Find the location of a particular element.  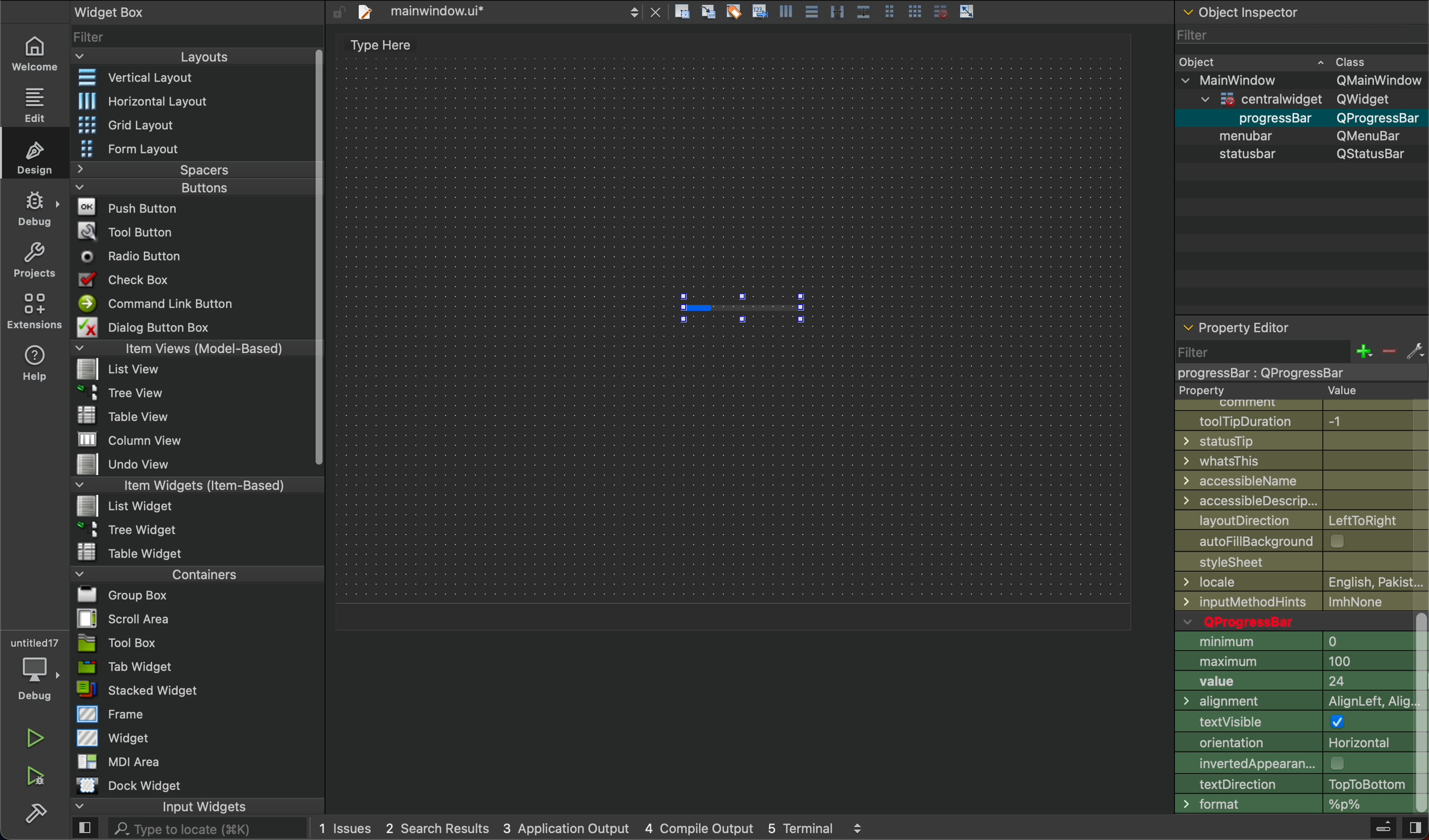

open sidebar is located at coordinates (85, 829).